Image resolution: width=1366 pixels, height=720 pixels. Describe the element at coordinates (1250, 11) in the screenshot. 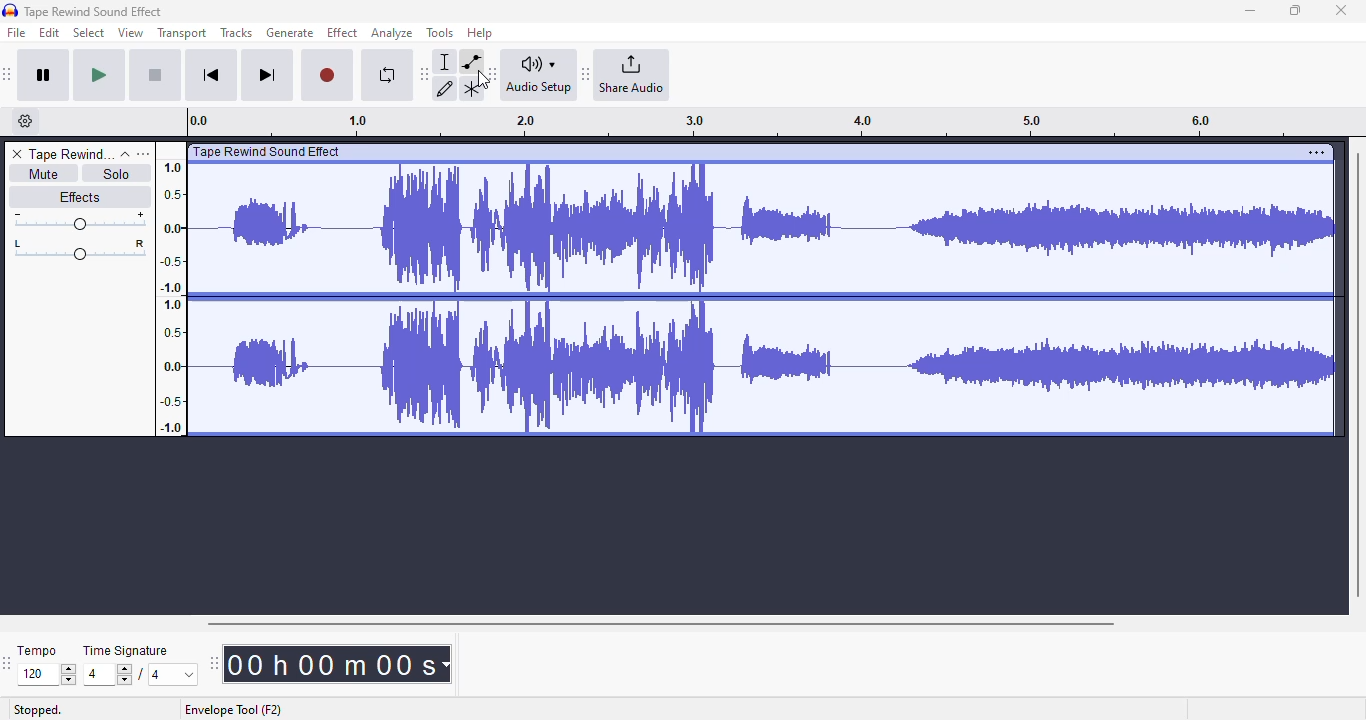

I see `minimize` at that location.